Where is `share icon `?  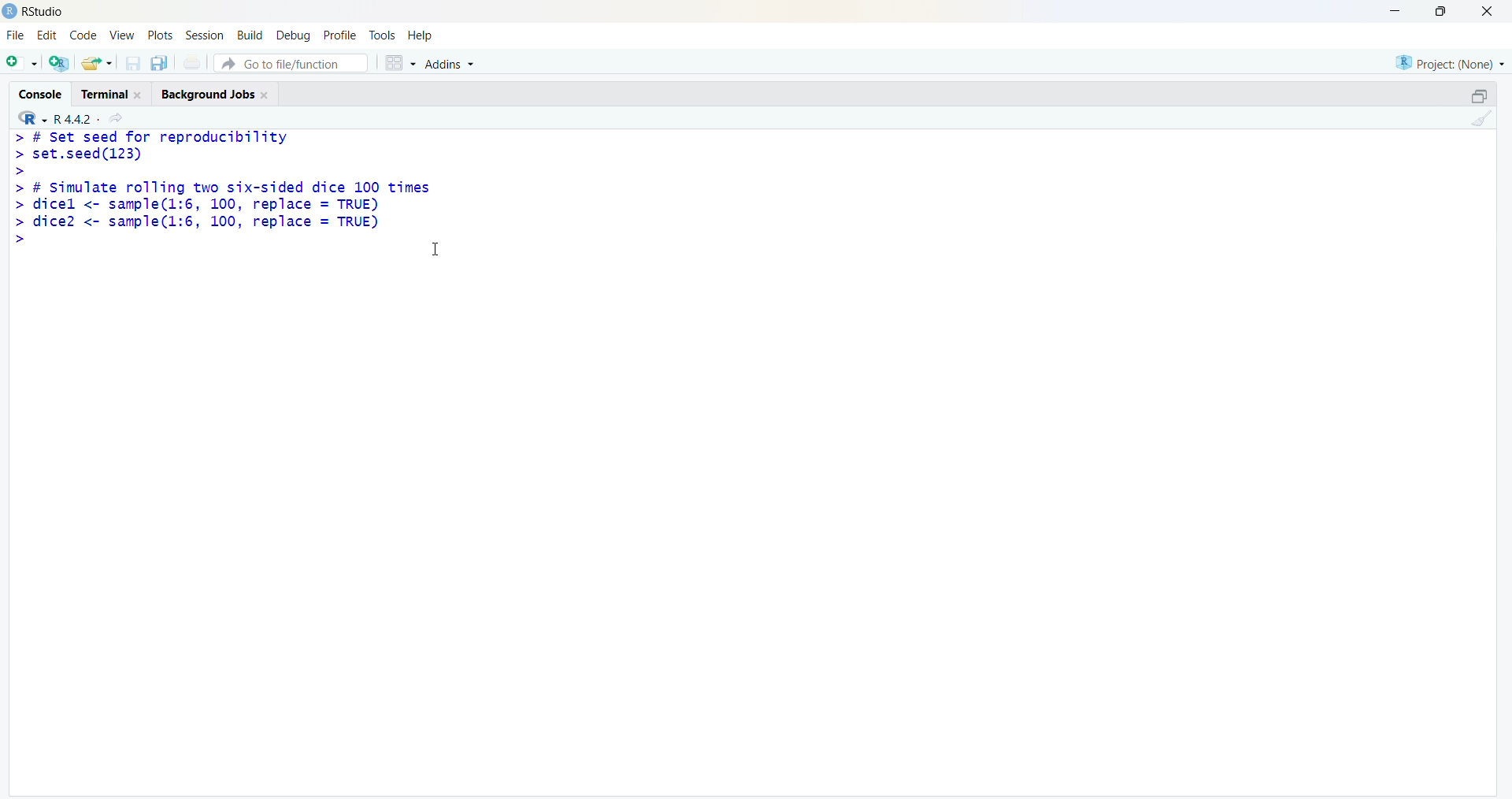 share icon  is located at coordinates (117, 119).